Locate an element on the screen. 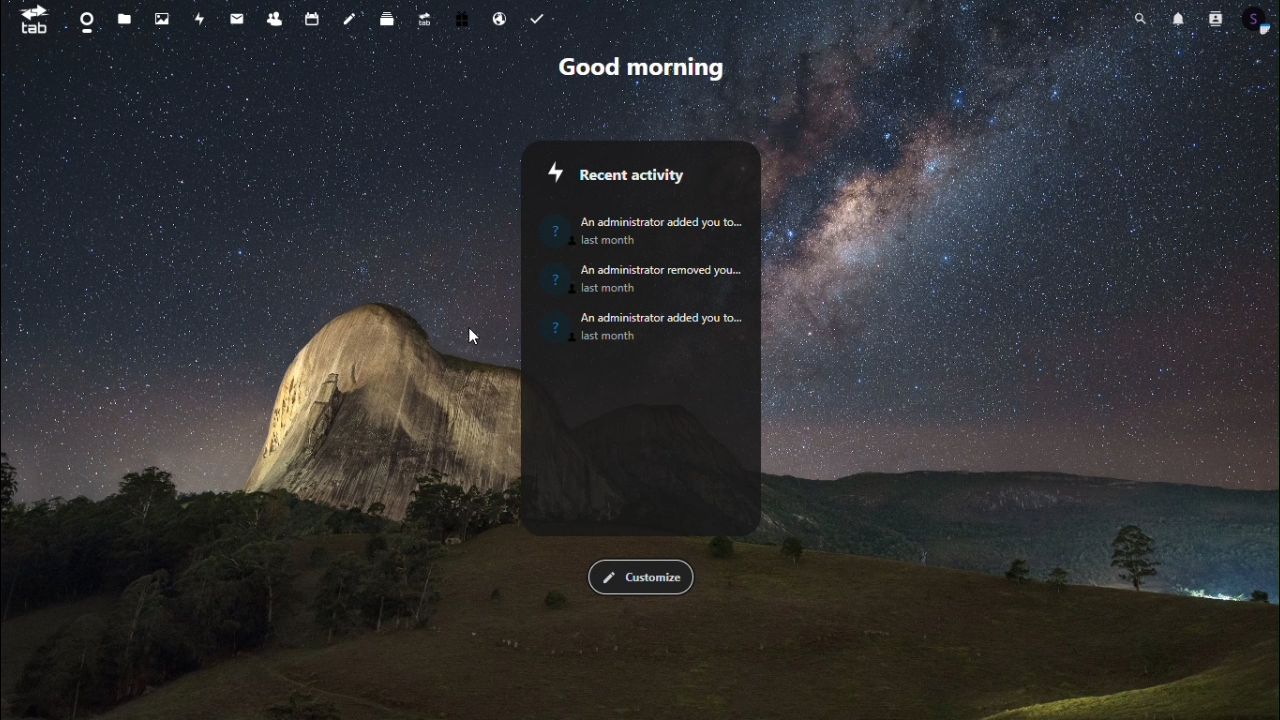  contacts is located at coordinates (276, 19).